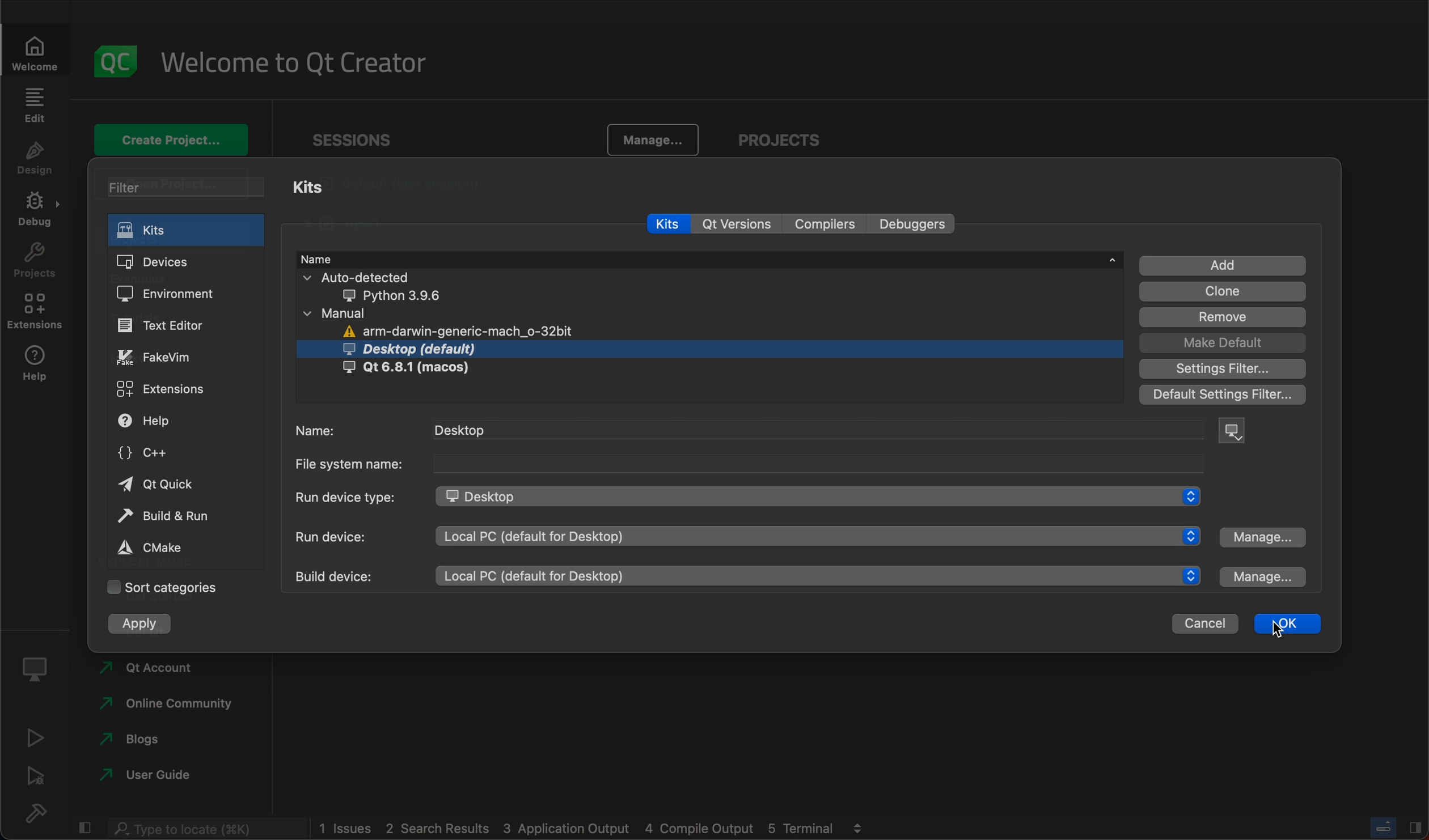 This screenshot has width=1429, height=840. What do you see at coordinates (1199, 626) in the screenshot?
I see `cancel` at bounding box center [1199, 626].